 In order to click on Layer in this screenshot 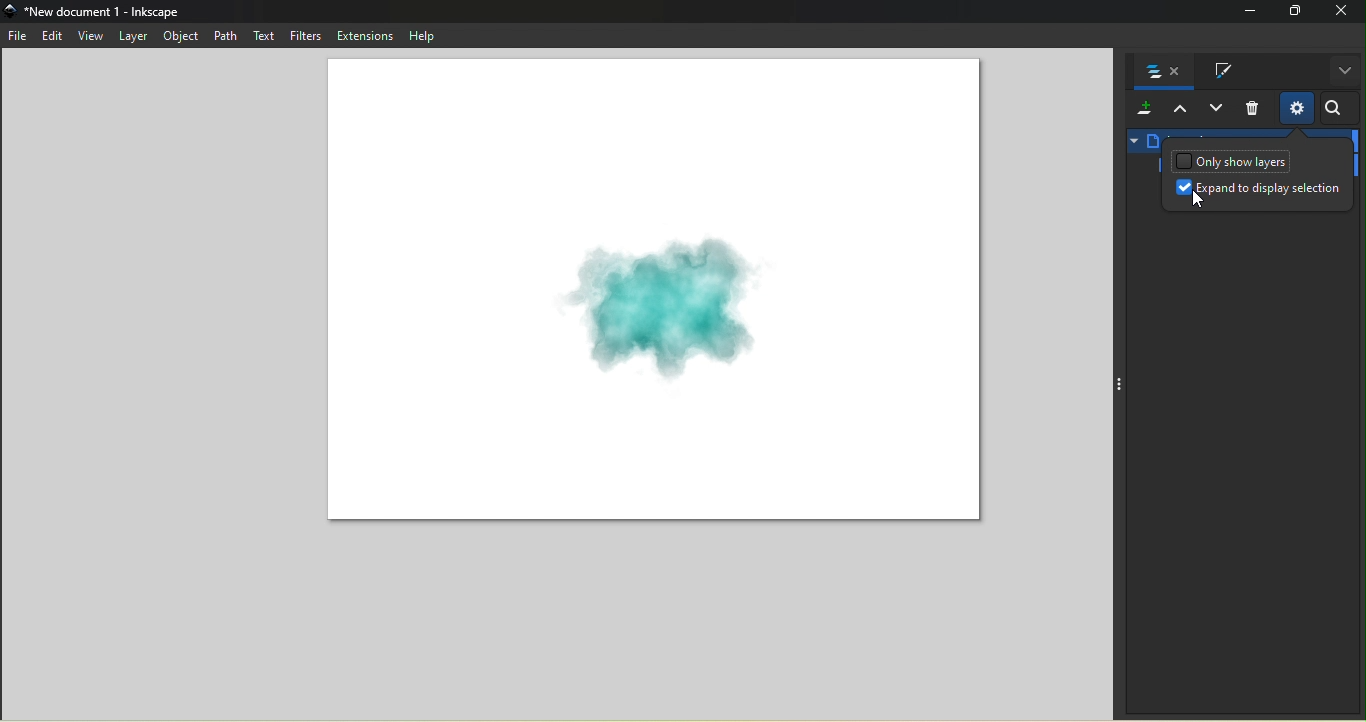, I will do `click(134, 34)`.